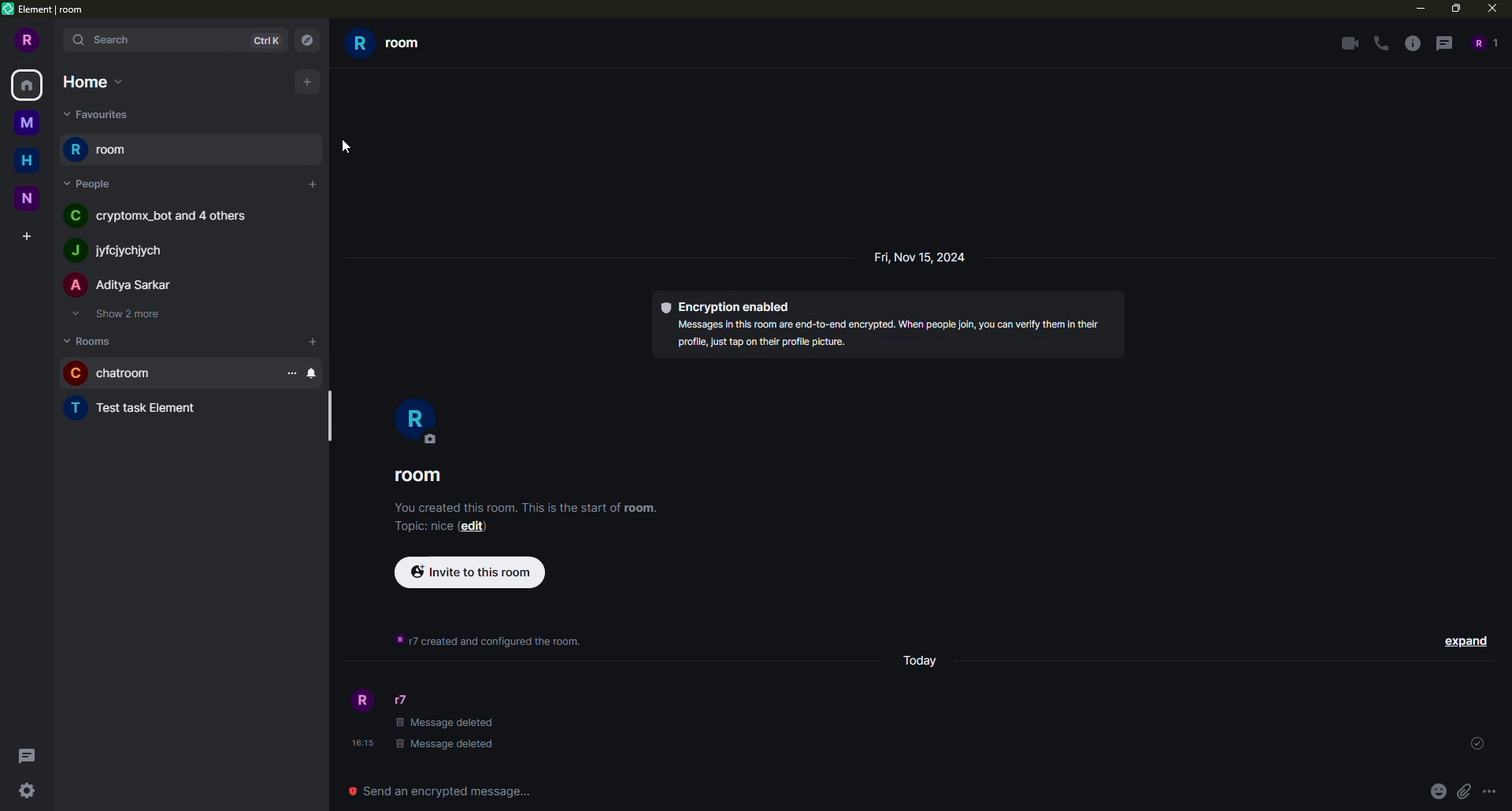 This screenshot has height=811, width=1512. What do you see at coordinates (27, 161) in the screenshot?
I see `h` at bounding box center [27, 161].